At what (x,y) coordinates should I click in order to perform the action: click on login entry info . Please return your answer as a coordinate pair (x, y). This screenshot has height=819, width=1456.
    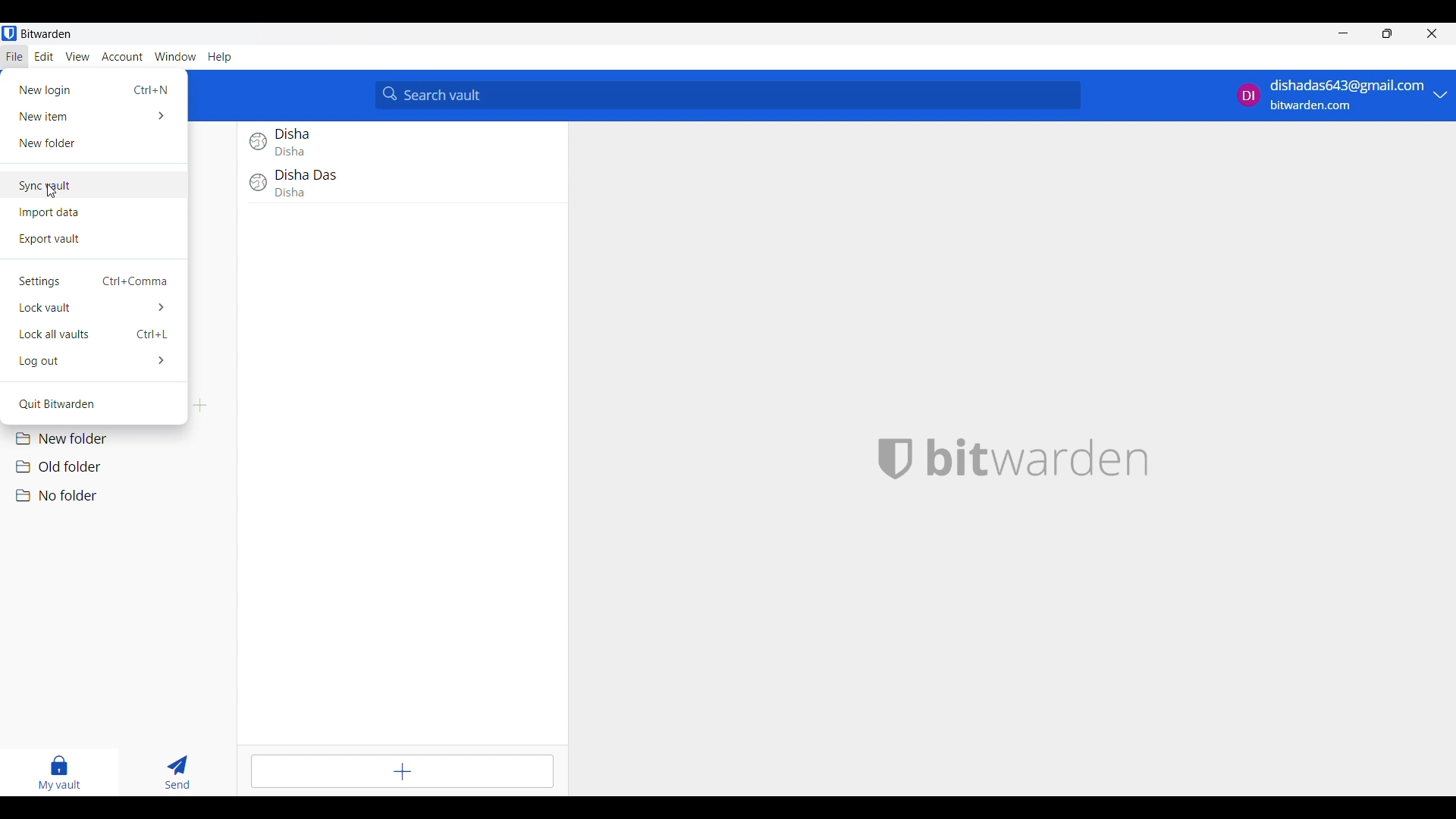
    Looking at the image, I should click on (394, 143).